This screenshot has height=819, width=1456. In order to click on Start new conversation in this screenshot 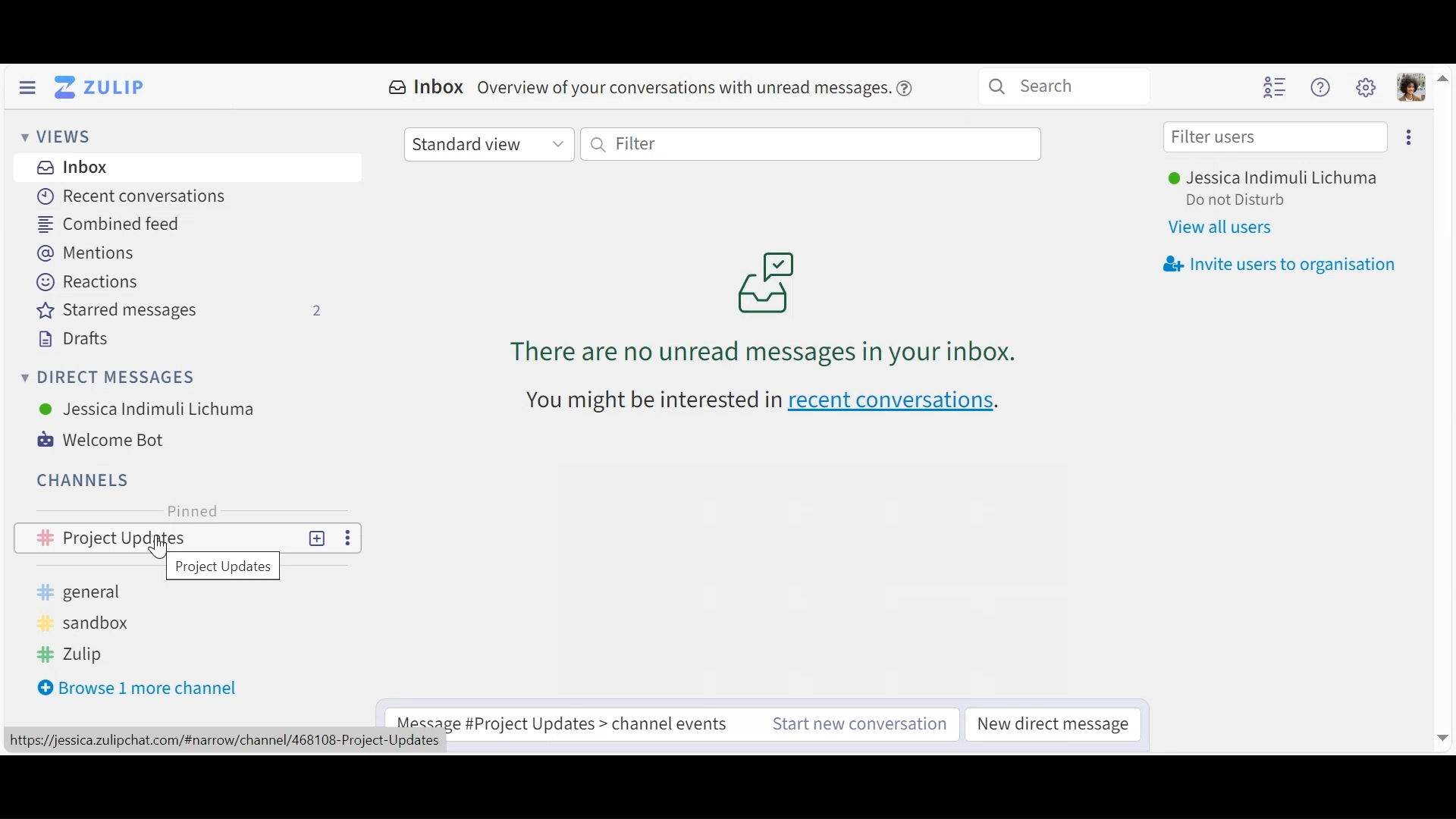, I will do `click(859, 726)`.